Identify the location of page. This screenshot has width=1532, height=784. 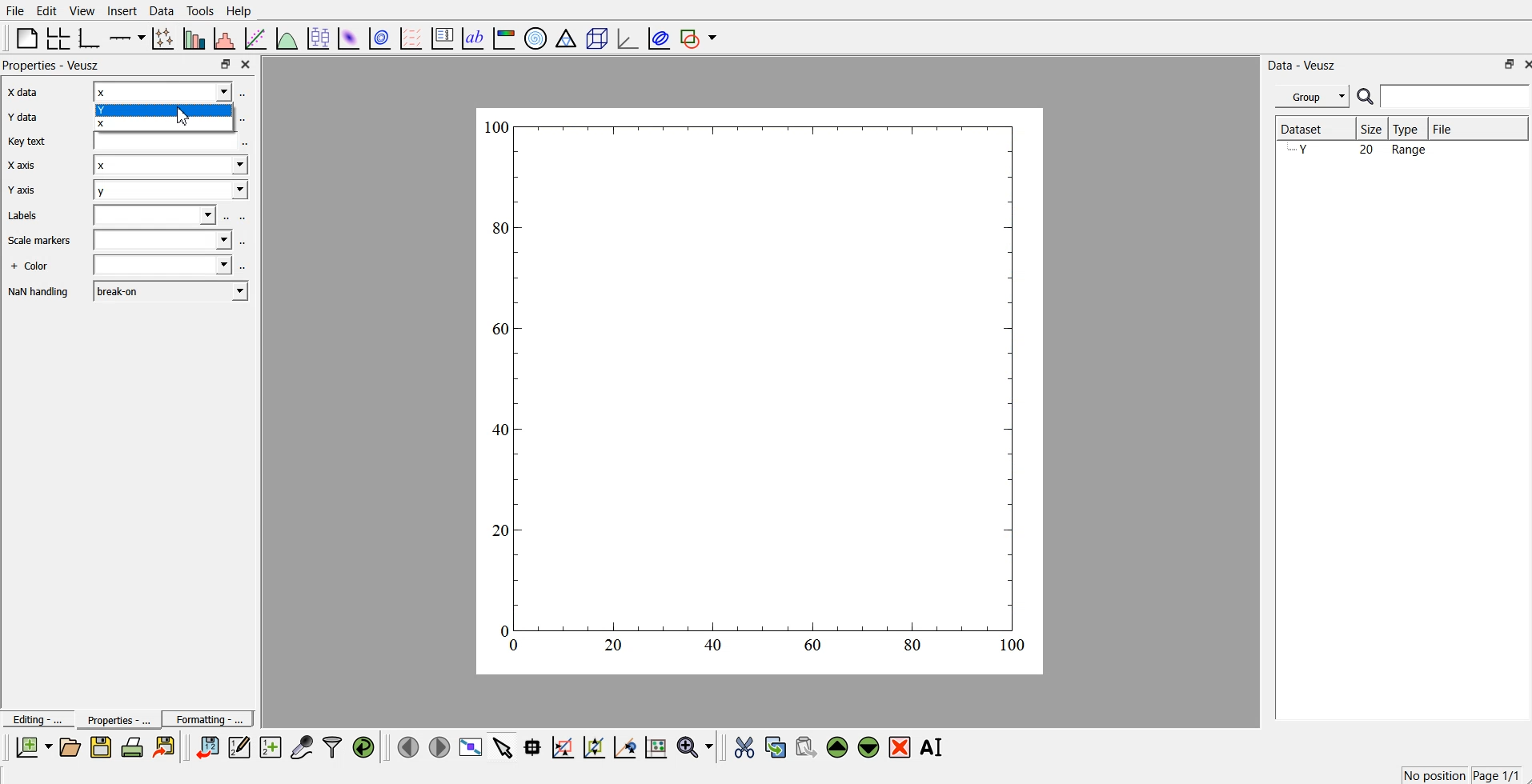
(762, 390).